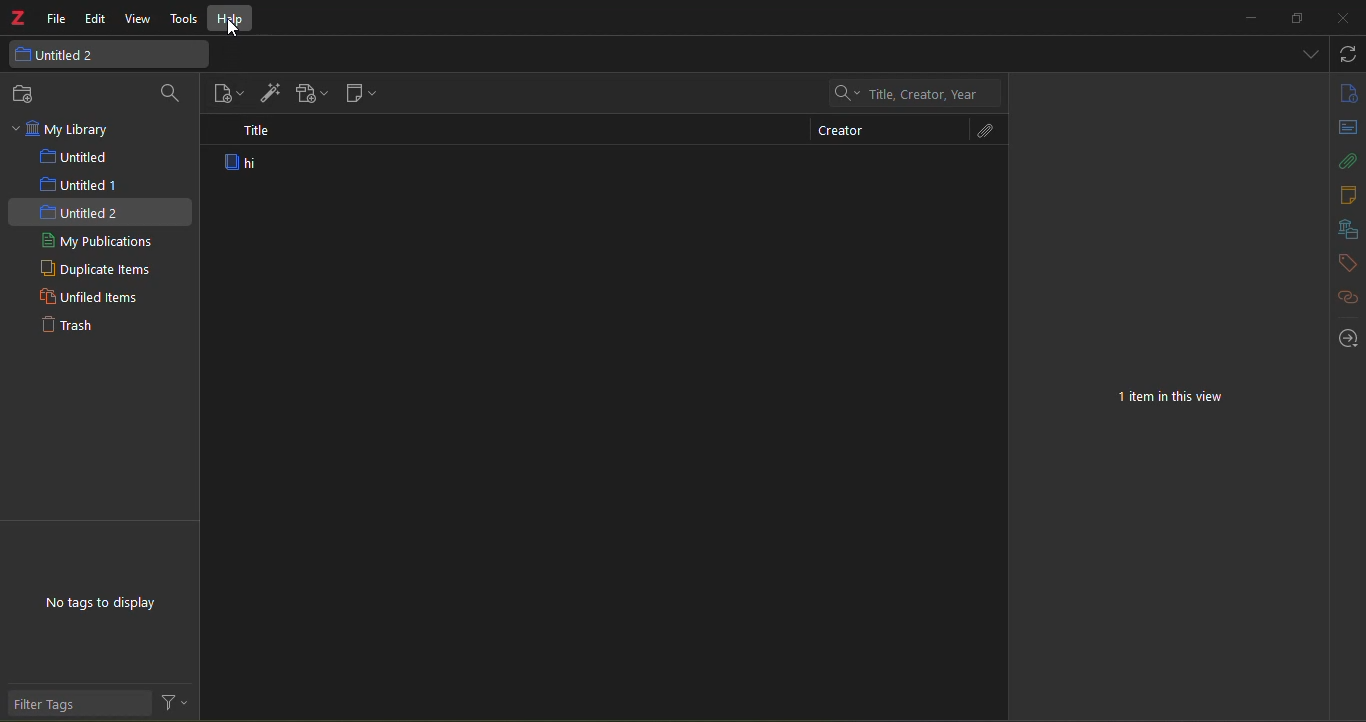  Describe the element at coordinates (1347, 196) in the screenshot. I see `notes` at that location.